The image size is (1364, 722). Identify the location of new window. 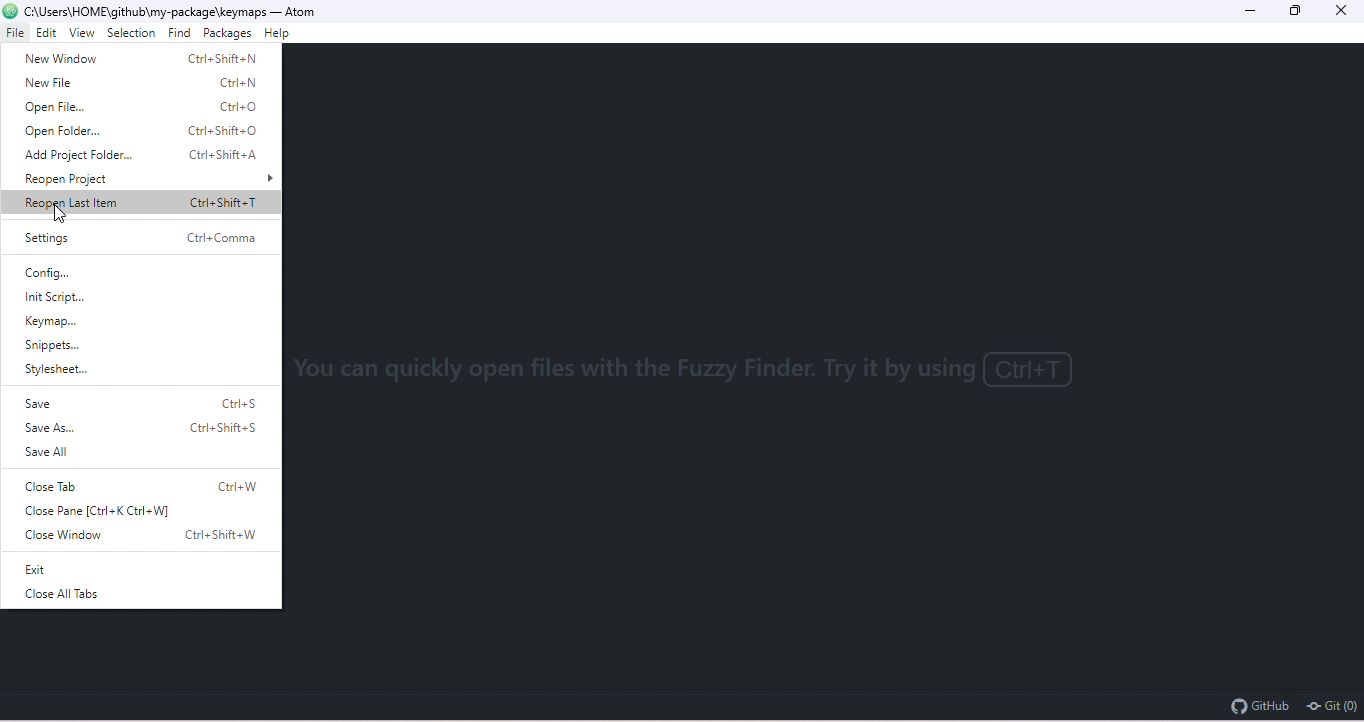
(135, 58).